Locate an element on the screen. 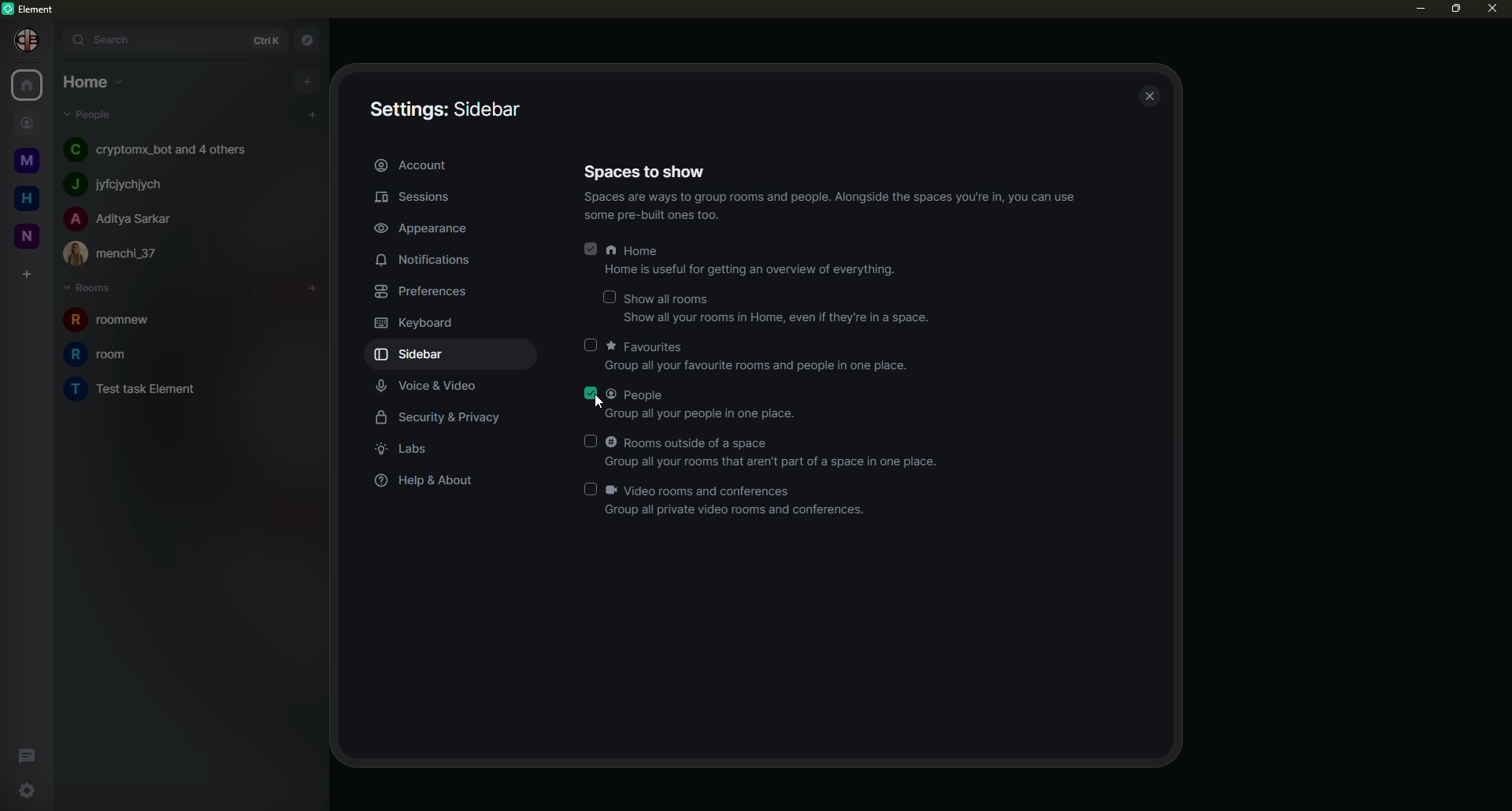  security & privacy is located at coordinates (444, 417).